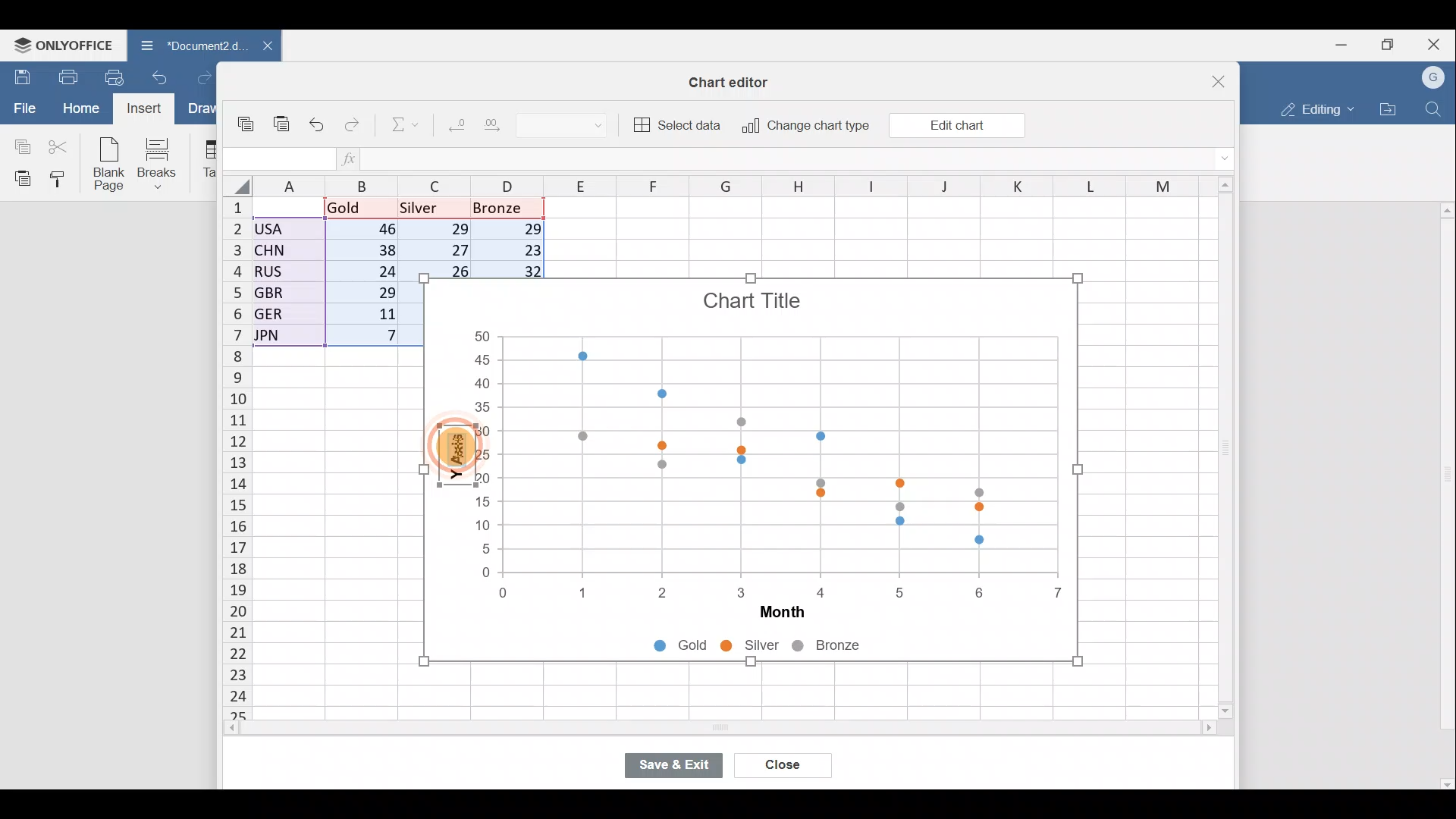 This screenshot has width=1456, height=819. Describe the element at coordinates (19, 178) in the screenshot. I see `Paste` at that location.